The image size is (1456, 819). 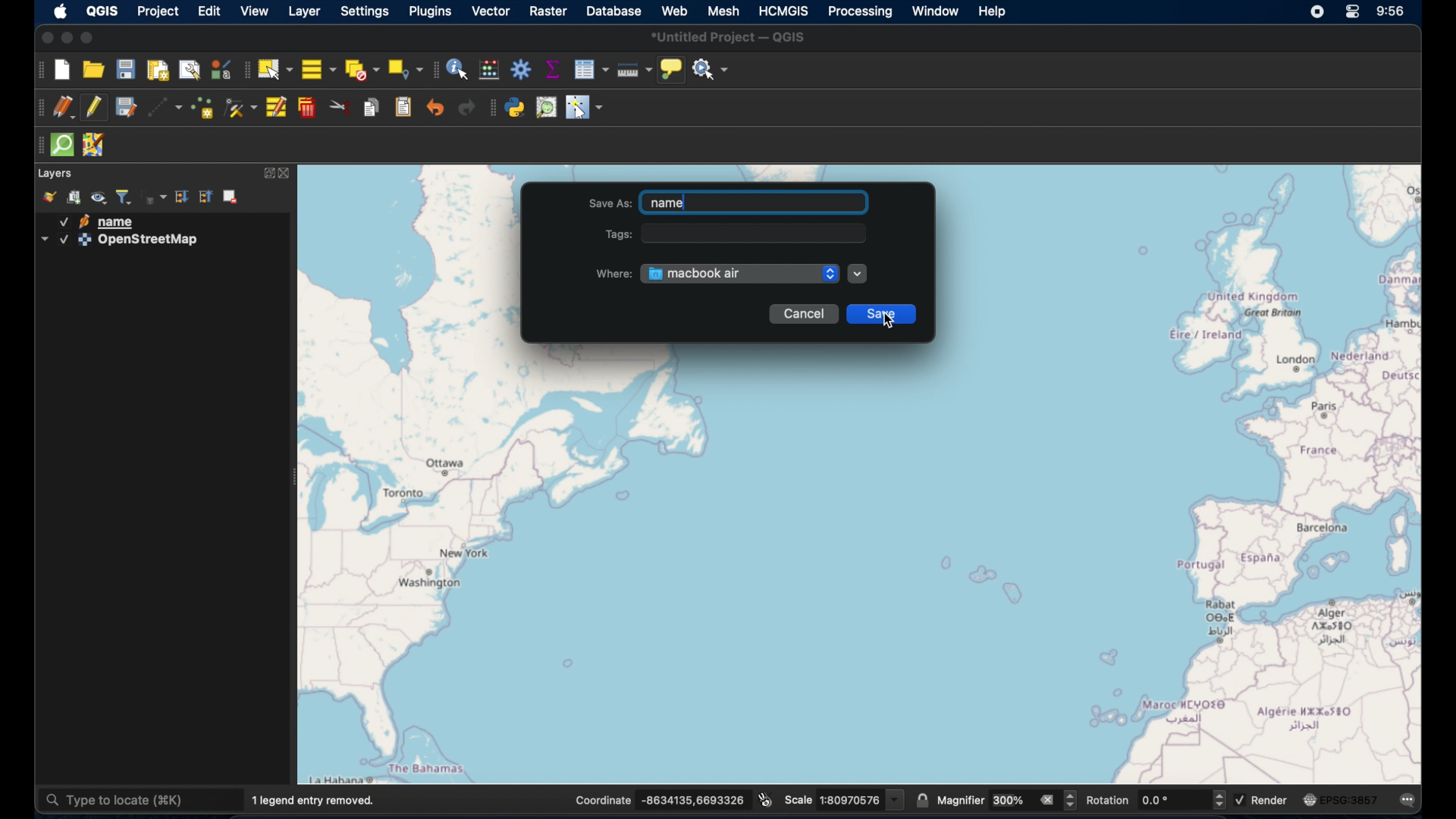 What do you see at coordinates (635, 69) in the screenshot?
I see `measure line` at bounding box center [635, 69].